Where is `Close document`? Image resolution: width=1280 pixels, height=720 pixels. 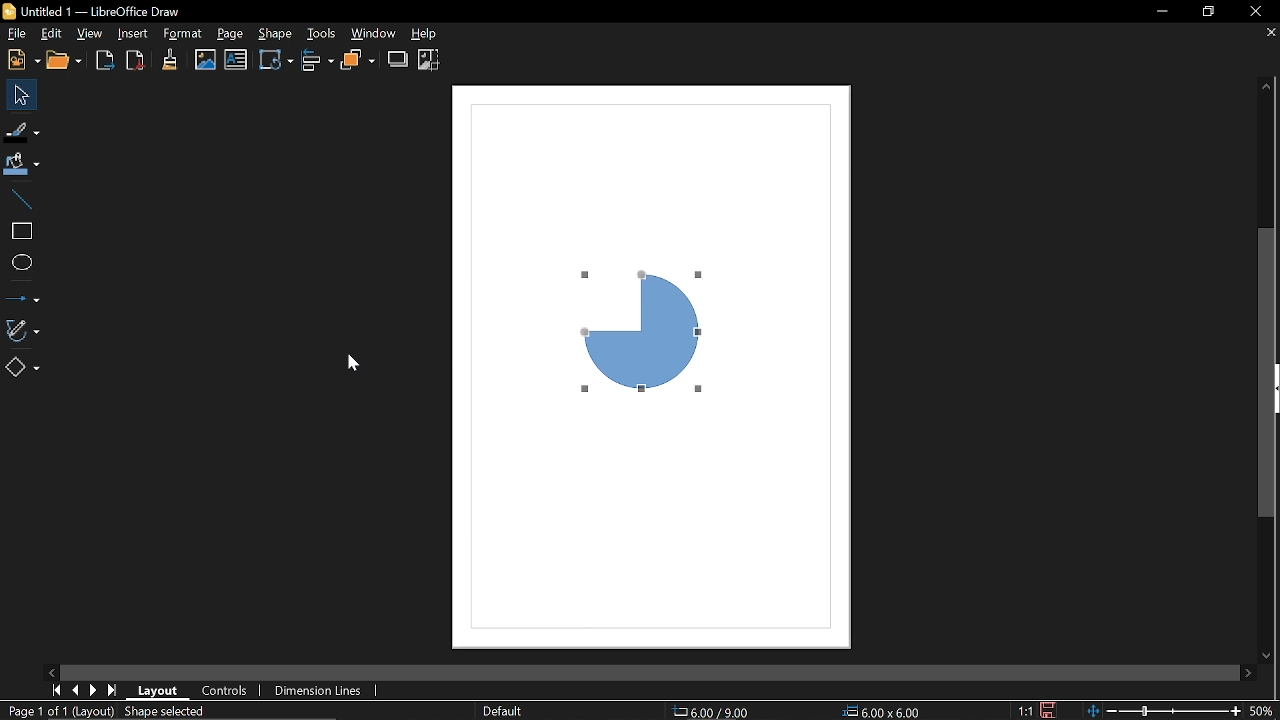 Close document is located at coordinates (1267, 36).